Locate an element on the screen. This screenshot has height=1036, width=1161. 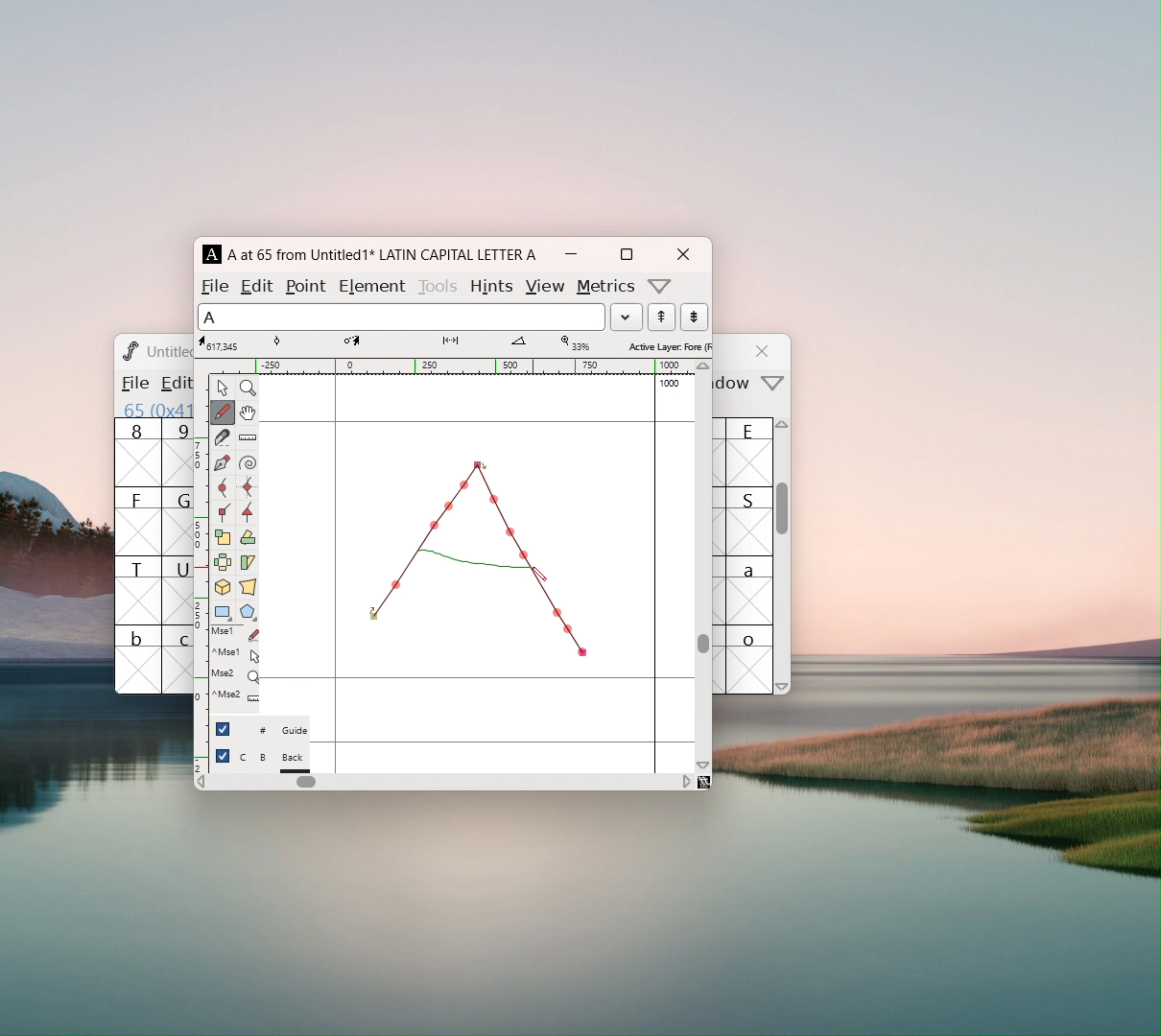
scrollbar is located at coordinates (783, 518).